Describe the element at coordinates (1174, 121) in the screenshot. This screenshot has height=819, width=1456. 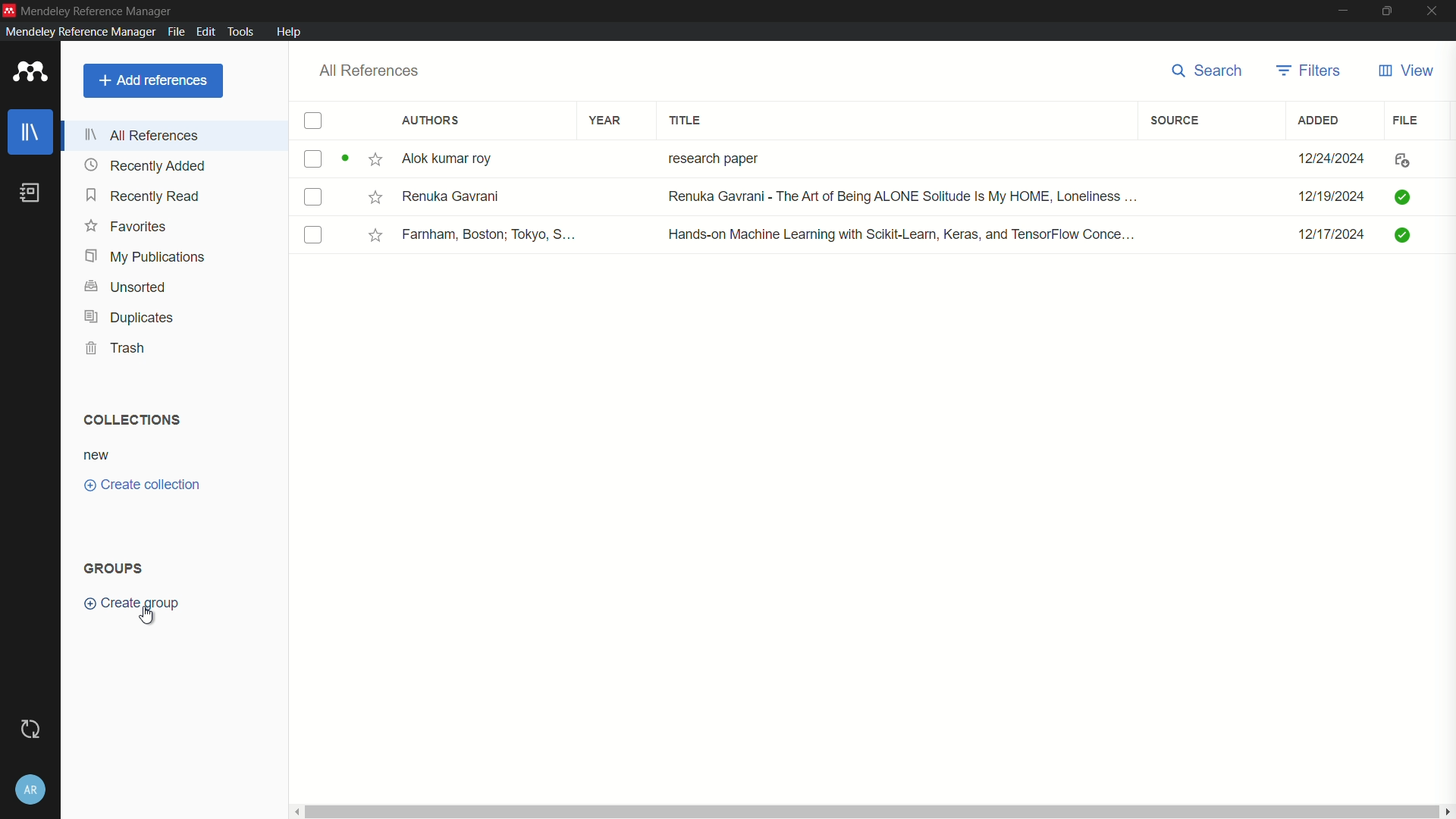
I see `source` at that location.